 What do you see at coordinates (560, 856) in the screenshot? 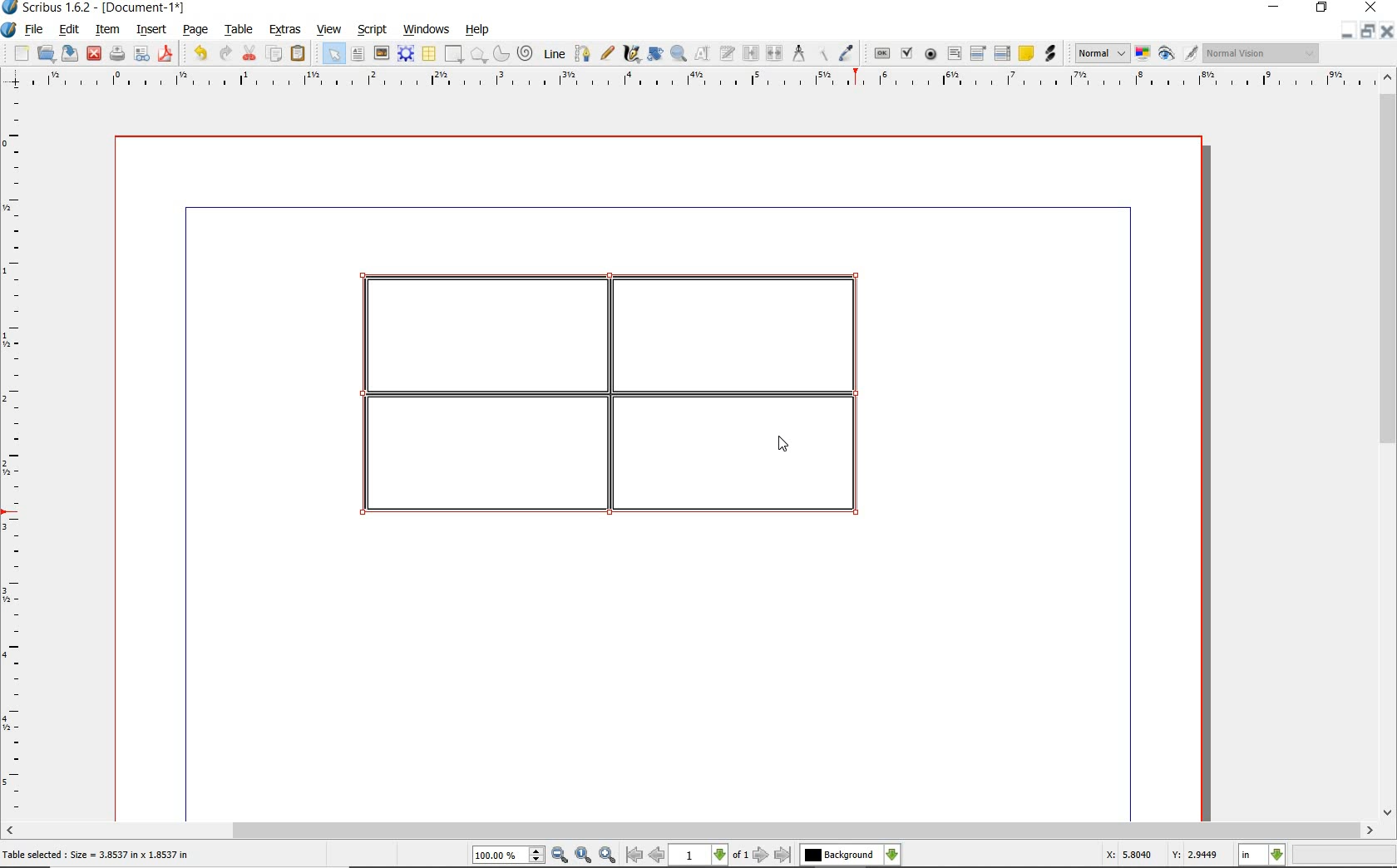
I see `zoom out` at bounding box center [560, 856].